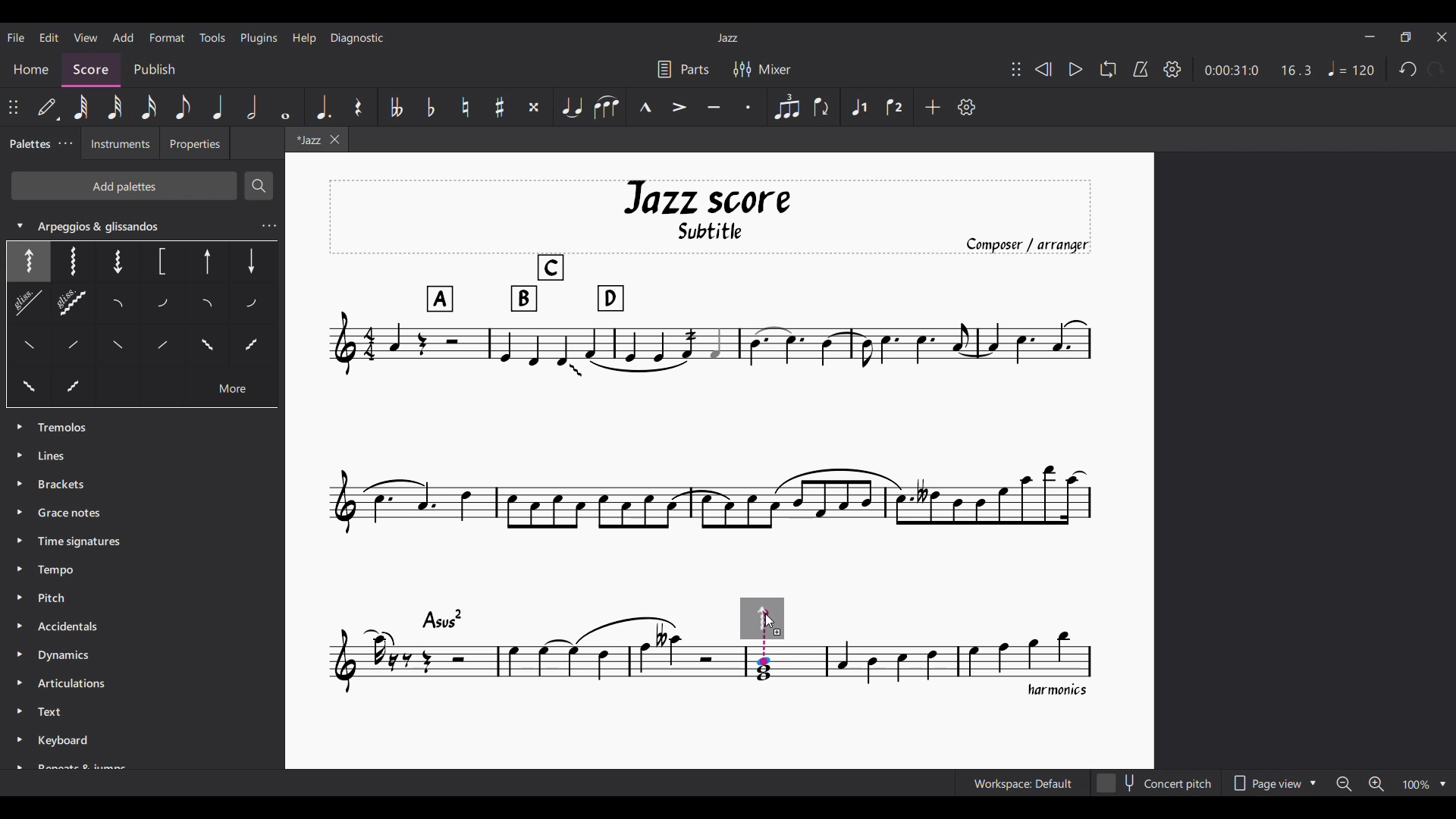 Image resolution: width=1456 pixels, height=819 pixels. What do you see at coordinates (67, 657) in the screenshot?
I see `Dynamics` at bounding box center [67, 657].